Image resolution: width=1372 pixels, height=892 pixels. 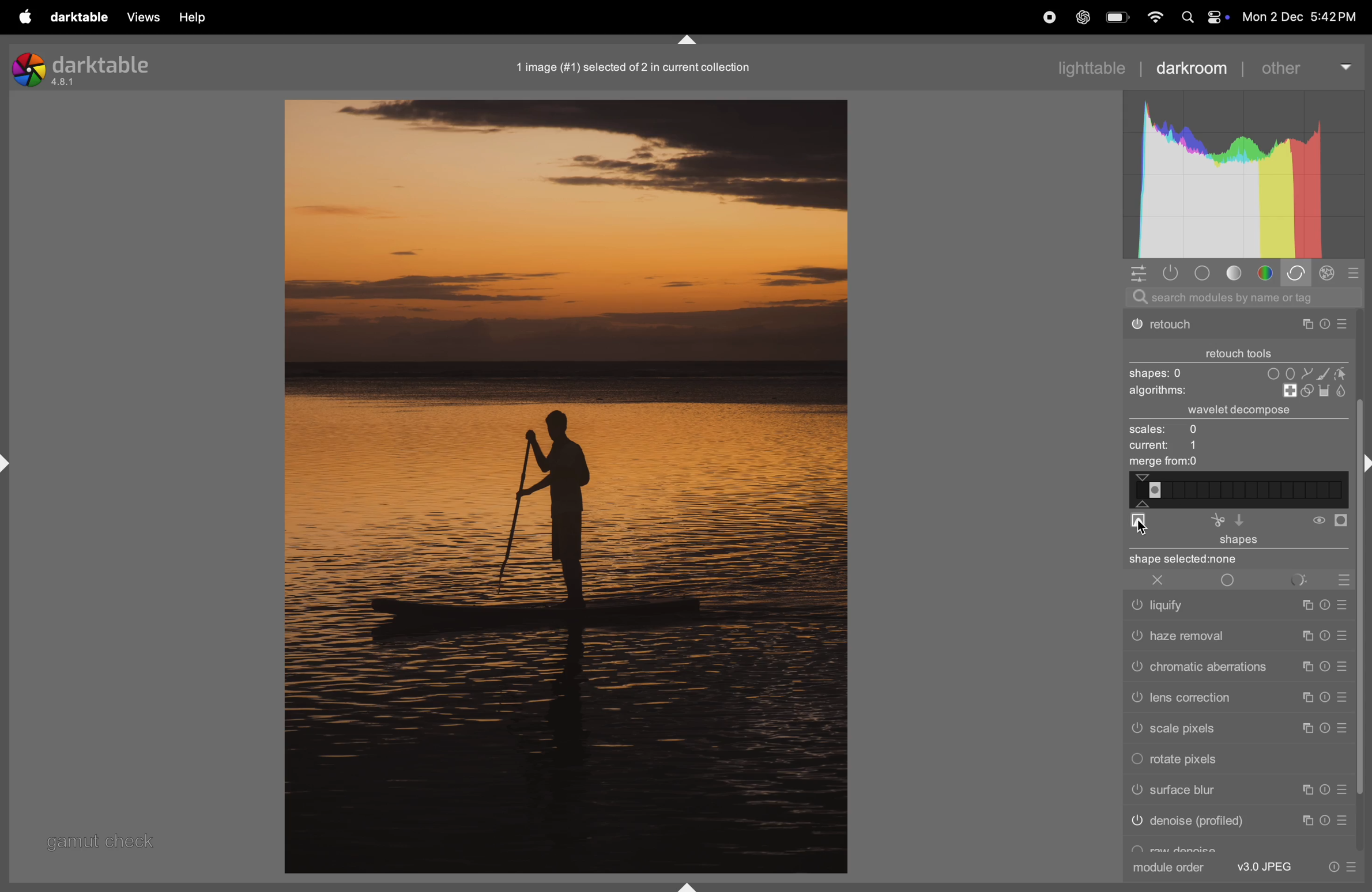 What do you see at coordinates (1147, 526) in the screenshot?
I see `Cursor` at bounding box center [1147, 526].